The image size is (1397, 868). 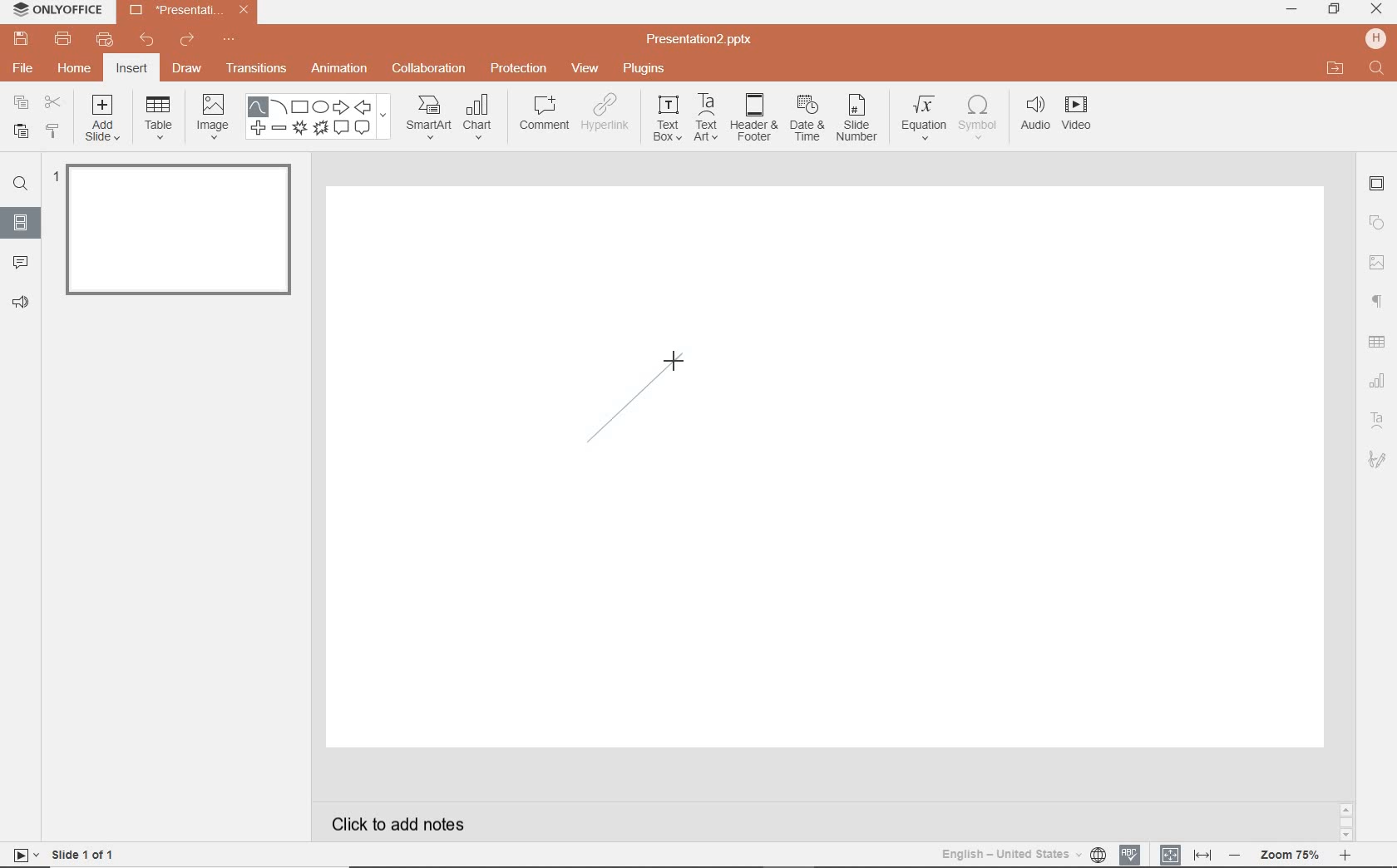 What do you see at coordinates (924, 116) in the screenshot?
I see `EQUATION` at bounding box center [924, 116].